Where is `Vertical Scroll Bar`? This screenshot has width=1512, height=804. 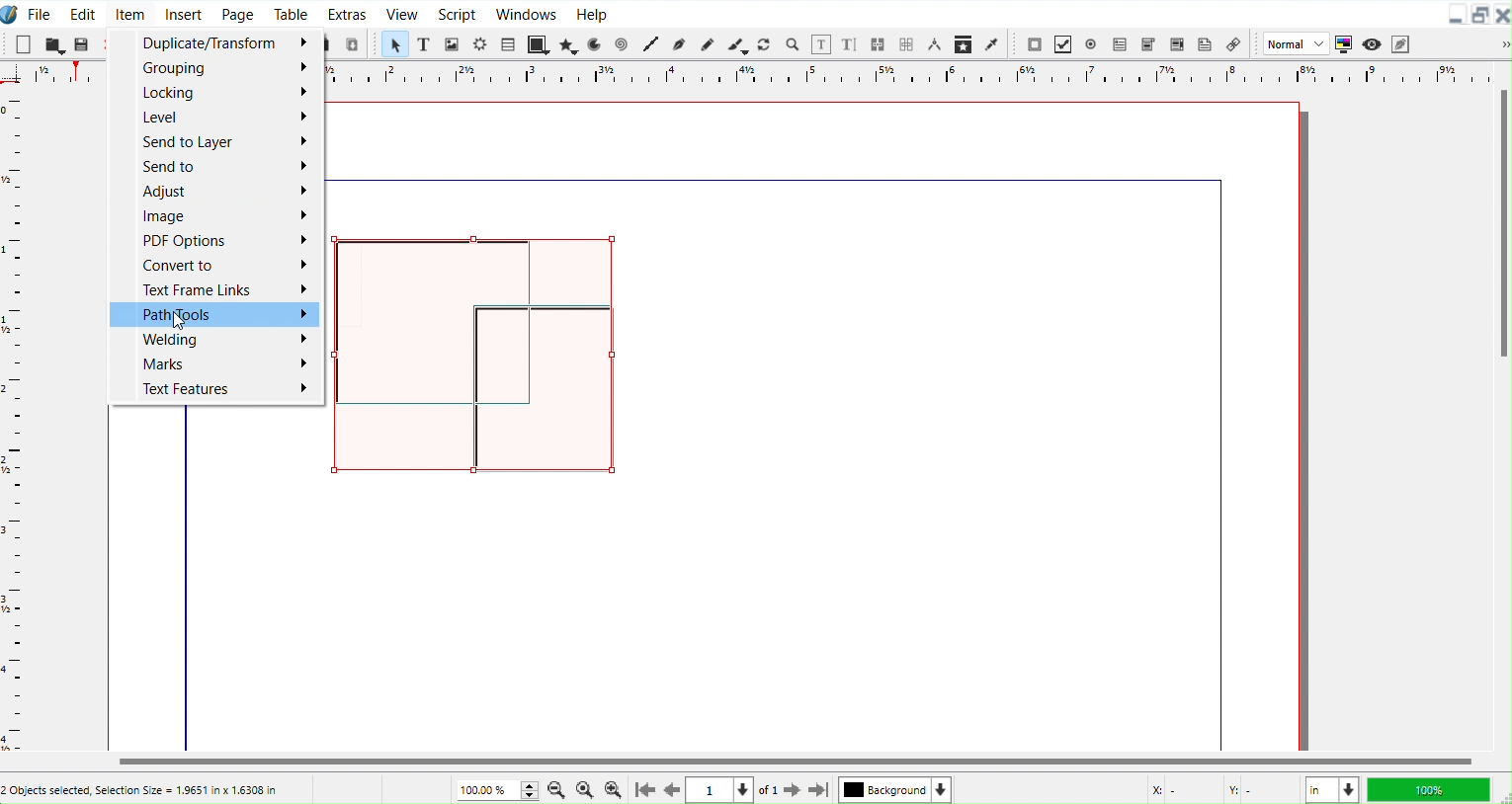
Vertical Scroll Bar is located at coordinates (1501, 404).